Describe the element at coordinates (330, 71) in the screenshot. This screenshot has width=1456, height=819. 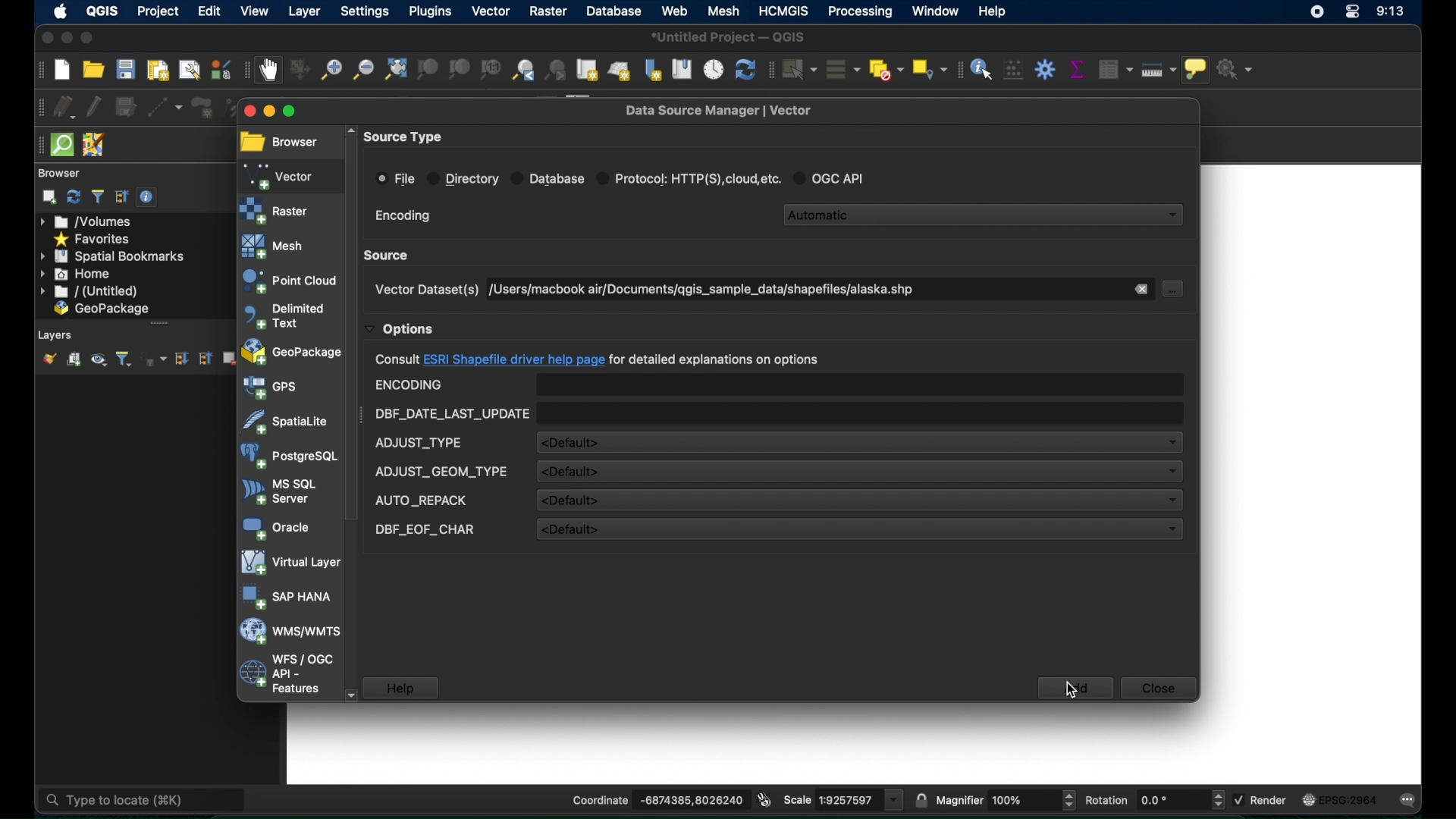
I see `zoom in` at that location.